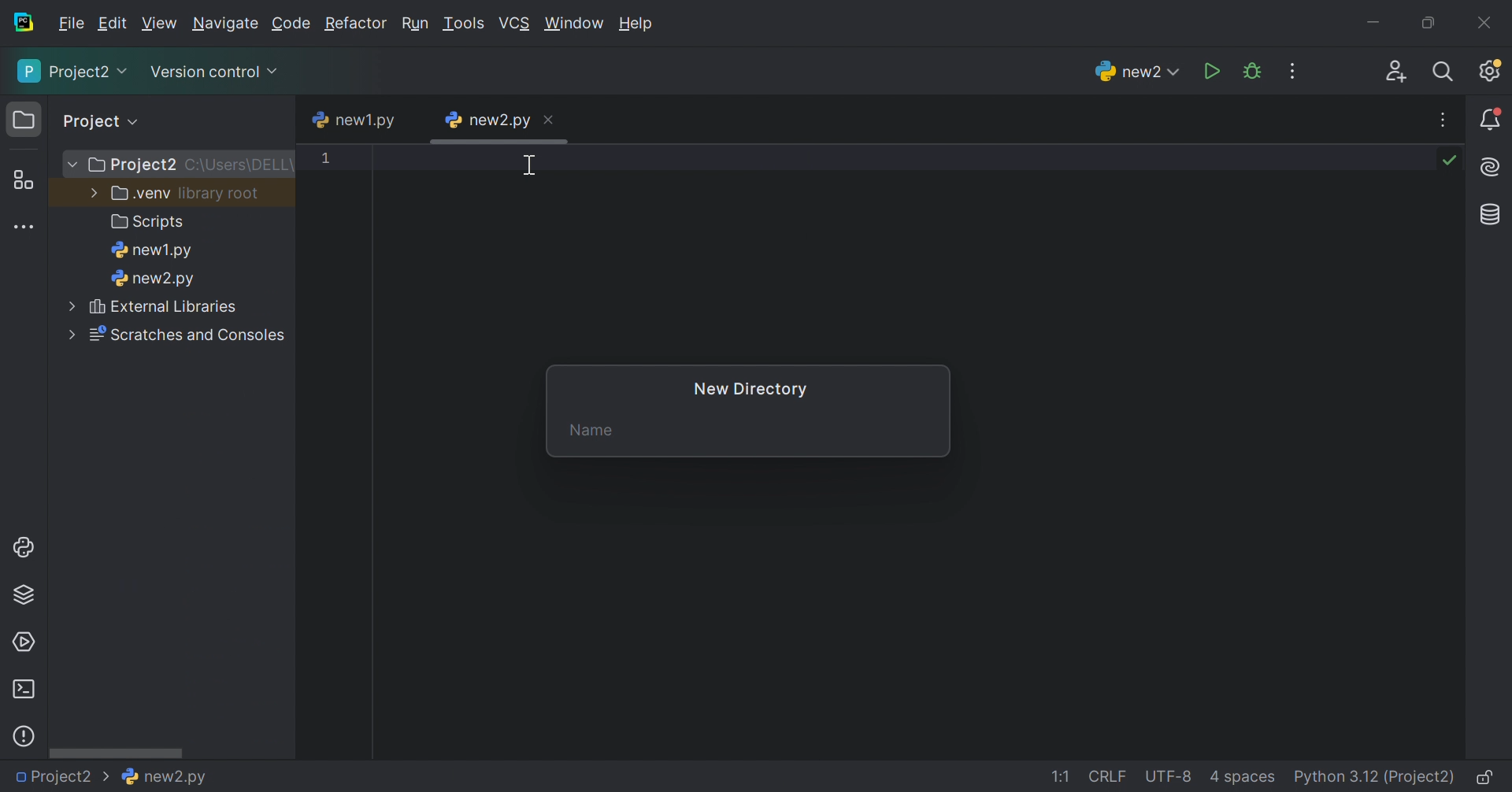 The width and height of the screenshot is (1512, 792). Describe the element at coordinates (353, 121) in the screenshot. I see `new1.py` at that location.